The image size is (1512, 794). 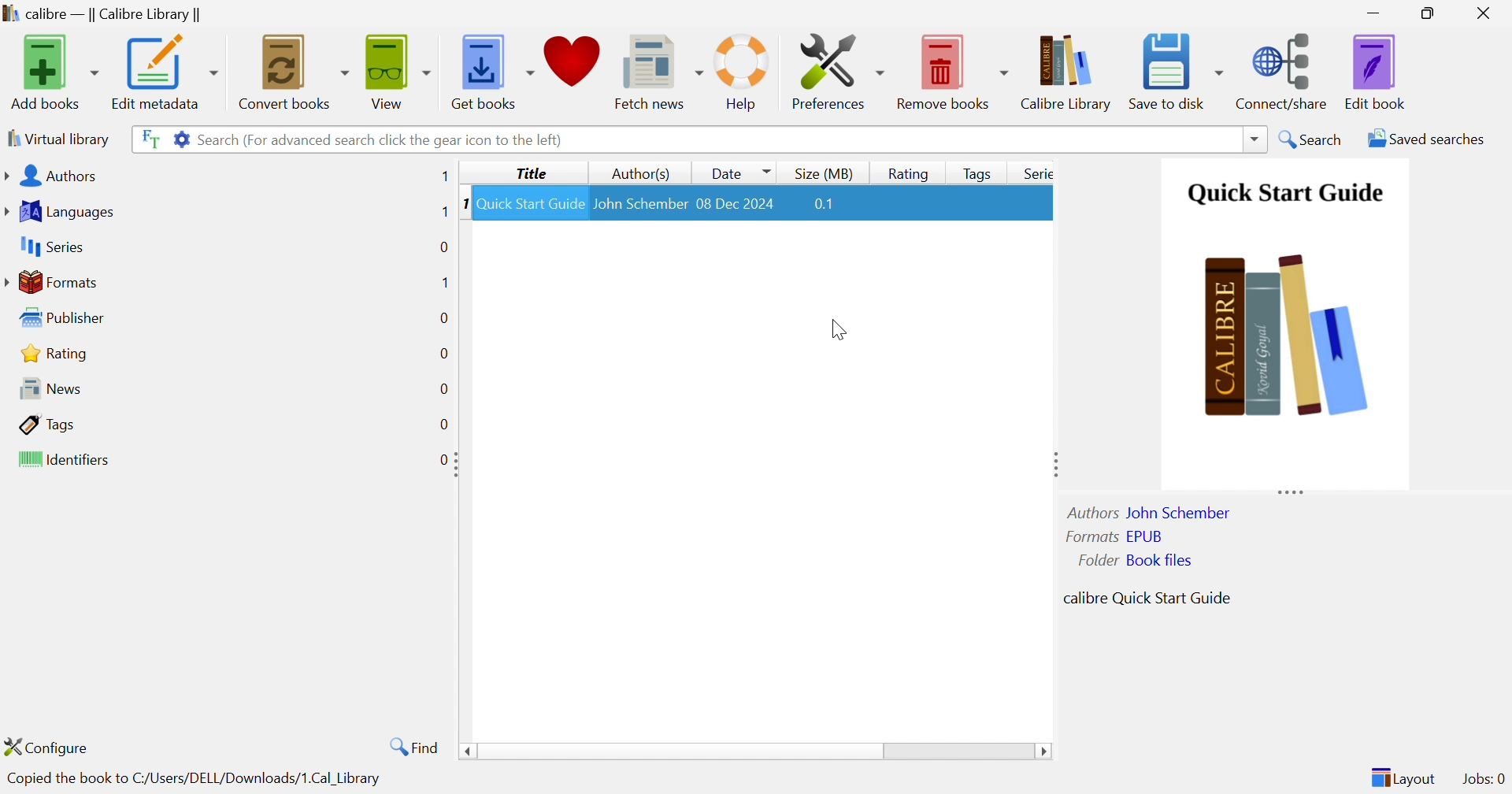 What do you see at coordinates (1377, 11) in the screenshot?
I see `Minimize` at bounding box center [1377, 11].